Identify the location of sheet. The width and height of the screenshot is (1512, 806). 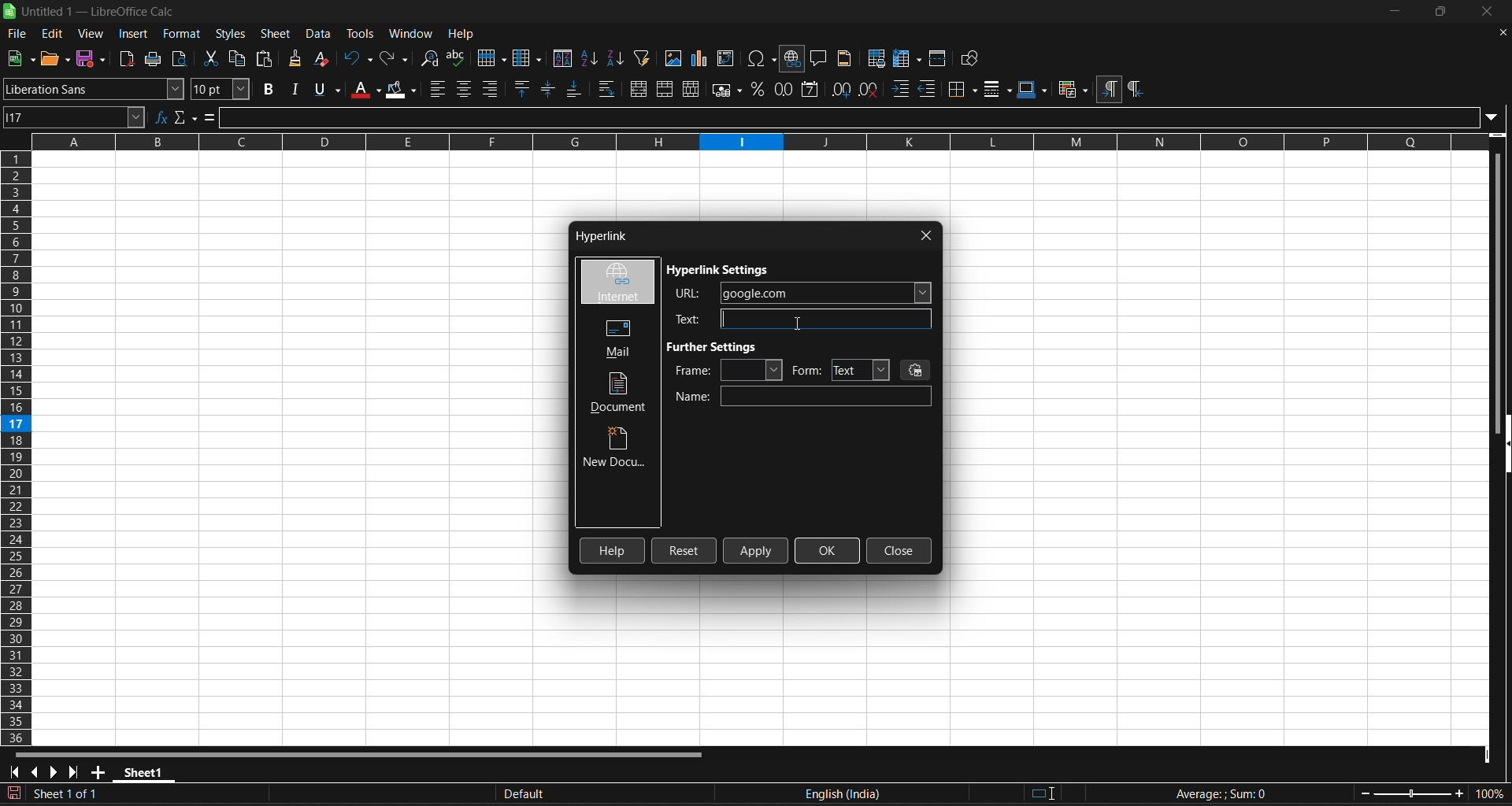
(276, 34).